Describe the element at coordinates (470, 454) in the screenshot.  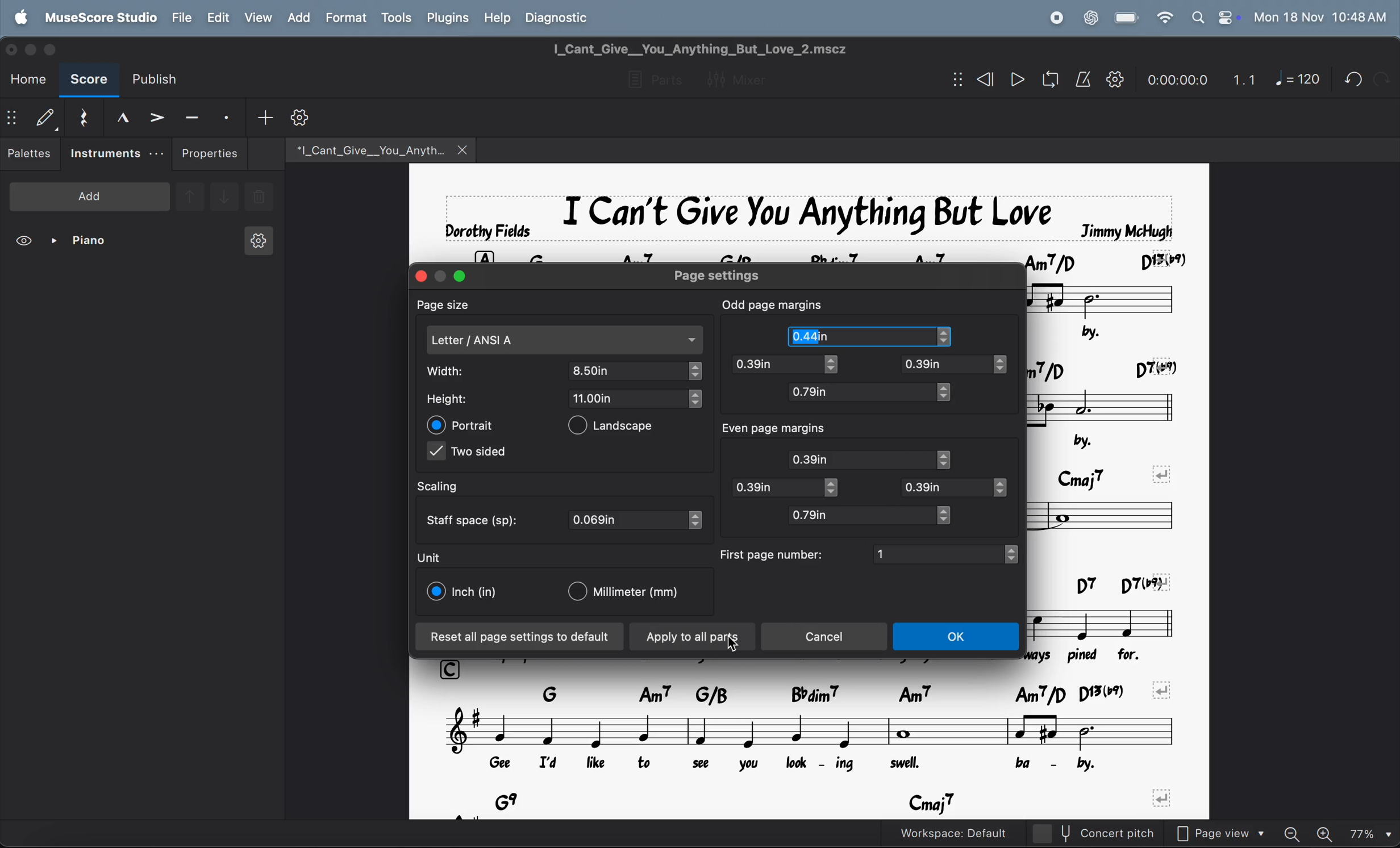
I see `two sided` at that location.